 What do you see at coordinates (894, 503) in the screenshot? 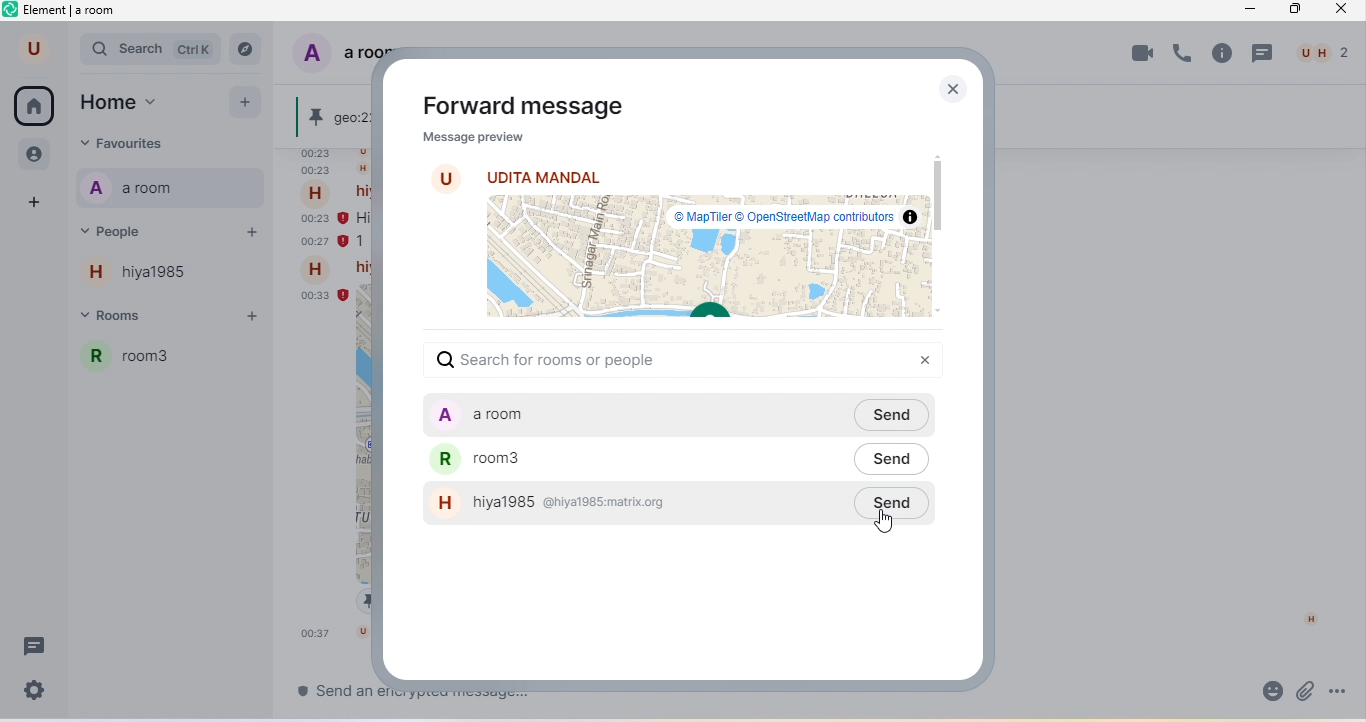
I see `send` at bounding box center [894, 503].